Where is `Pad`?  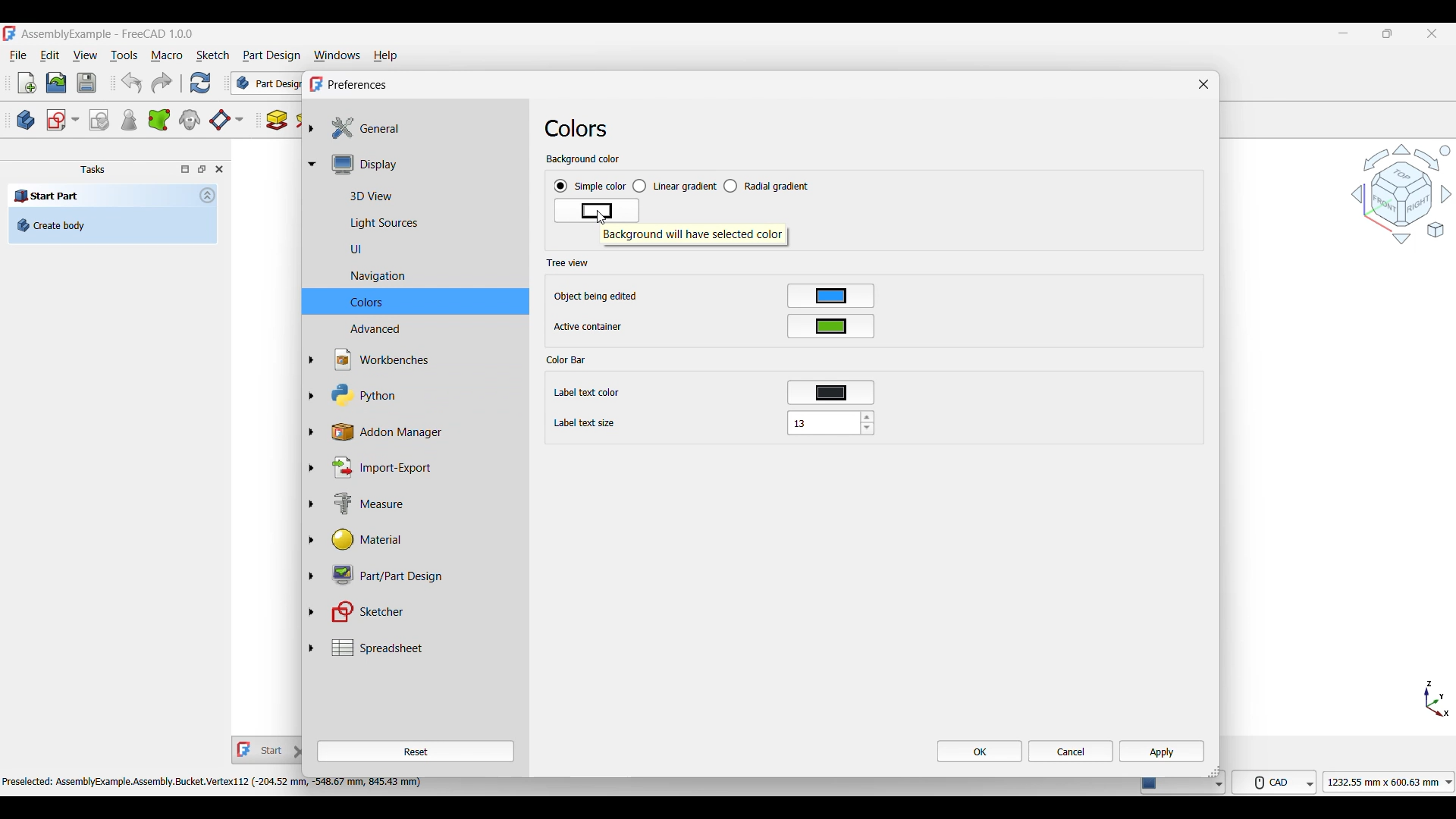 Pad is located at coordinates (277, 120).